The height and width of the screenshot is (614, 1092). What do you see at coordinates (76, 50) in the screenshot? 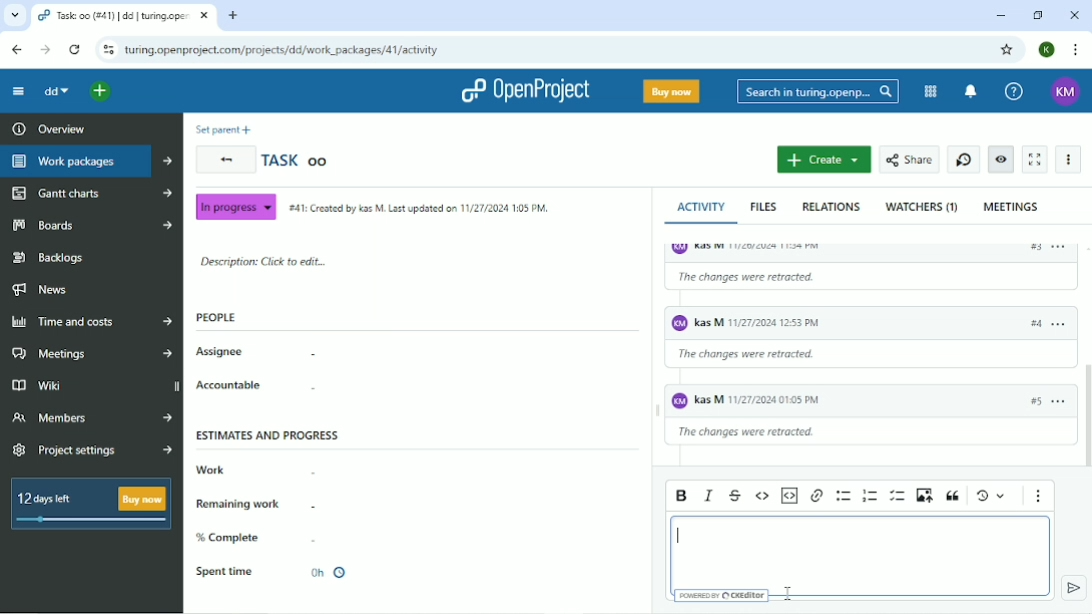
I see `Reload this page` at bounding box center [76, 50].